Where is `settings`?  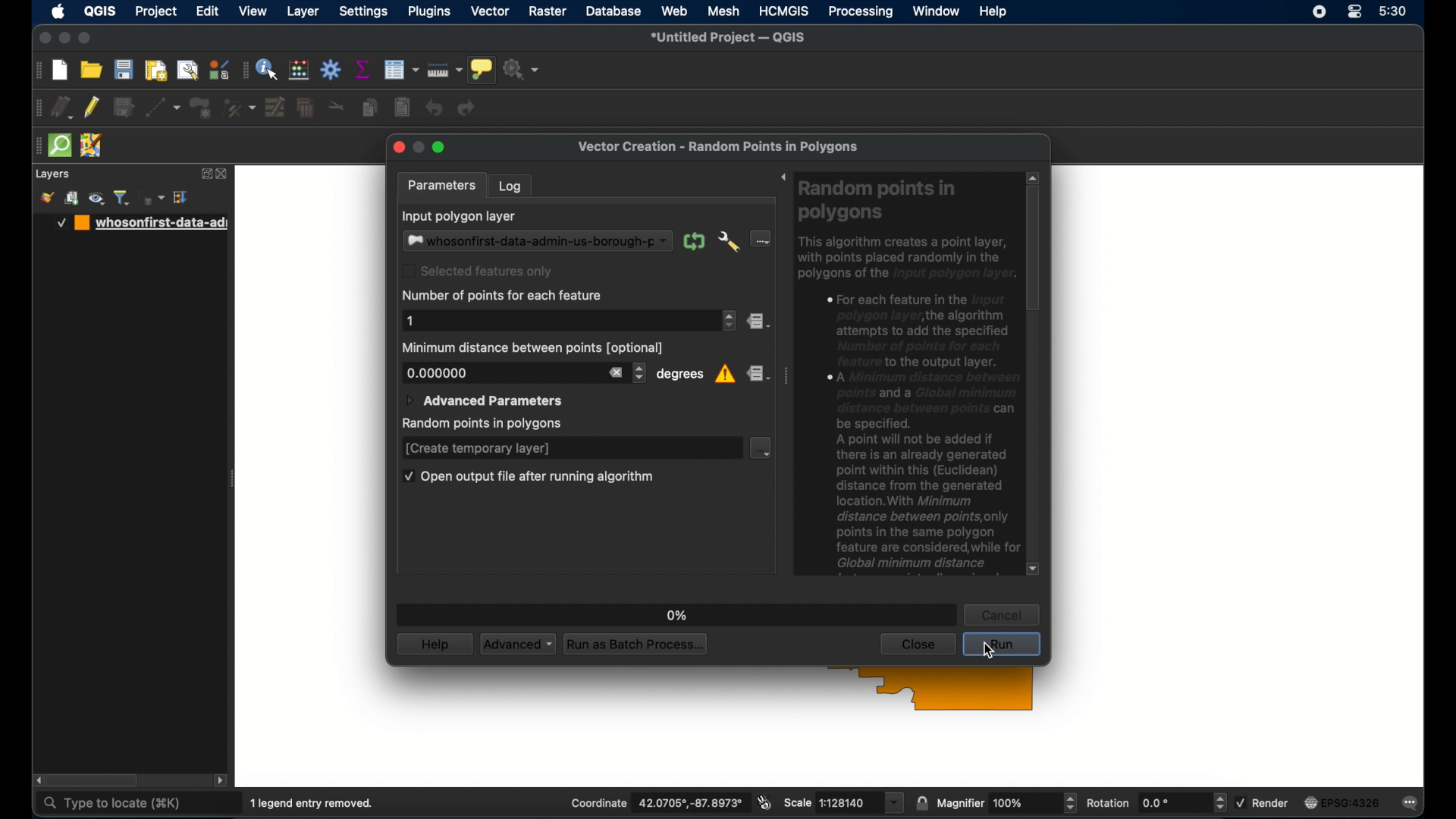 settings is located at coordinates (366, 11).